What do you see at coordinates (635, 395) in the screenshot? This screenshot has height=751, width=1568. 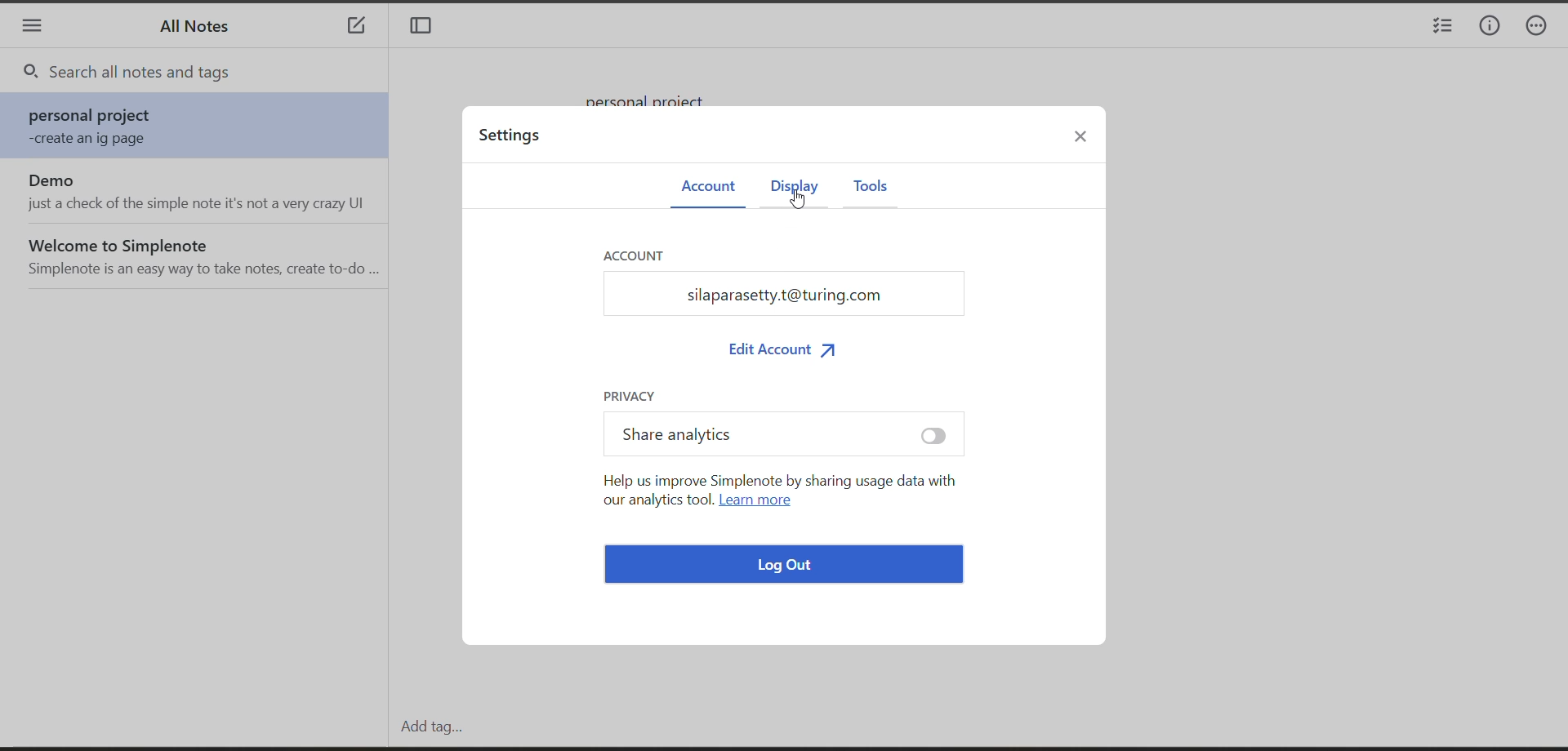 I see `privacy` at bounding box center [635, 395].